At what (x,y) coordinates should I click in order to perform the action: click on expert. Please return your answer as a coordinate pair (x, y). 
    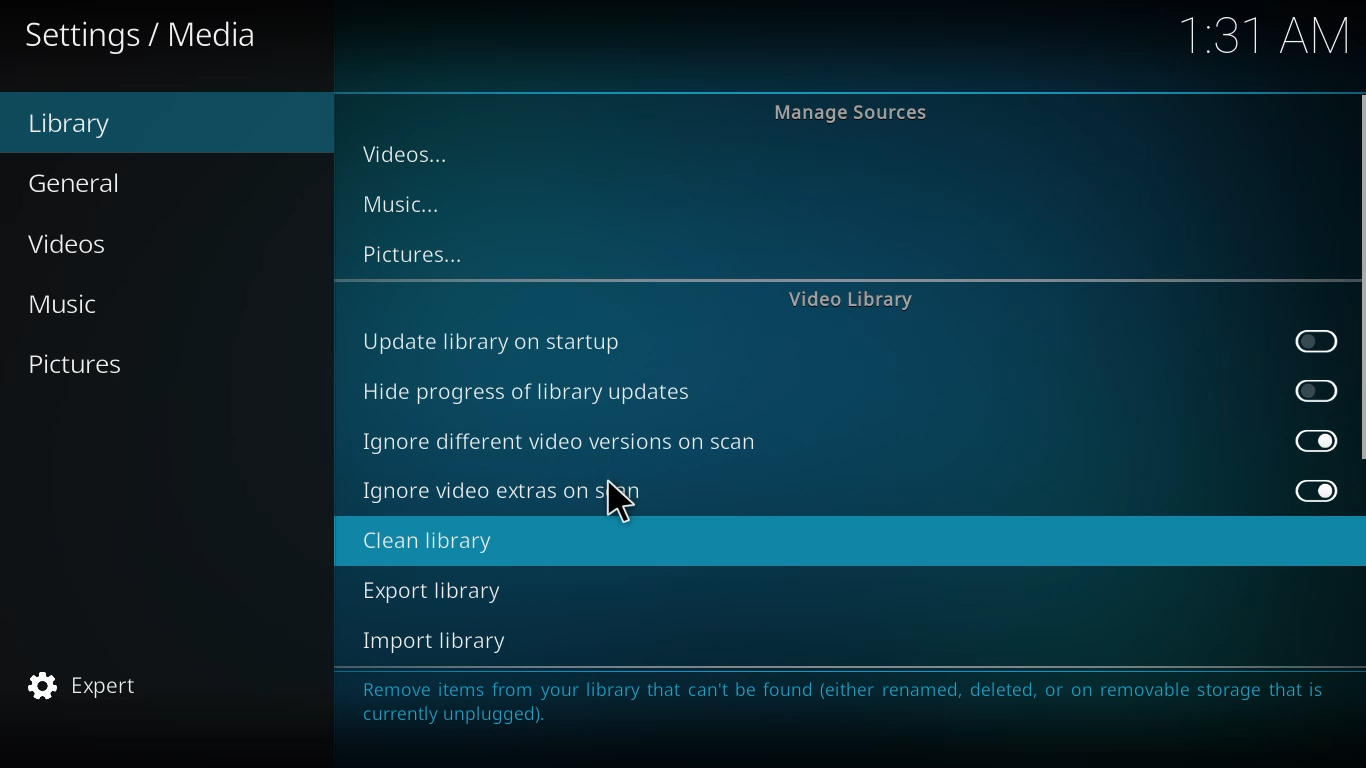
    Looking at the image, I should click on (91, 685).